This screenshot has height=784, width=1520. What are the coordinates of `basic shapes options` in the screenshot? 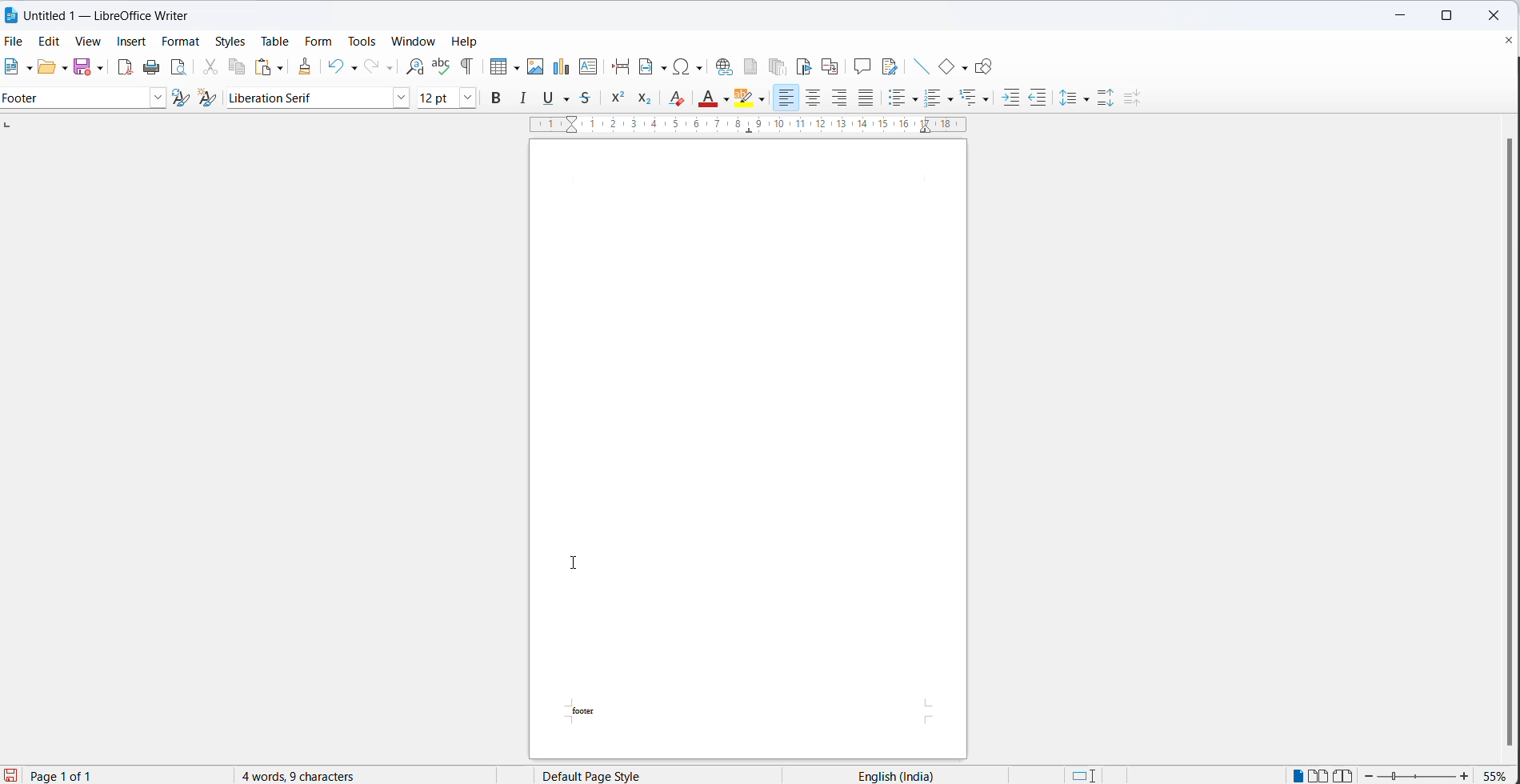 It's located at (966, 70).